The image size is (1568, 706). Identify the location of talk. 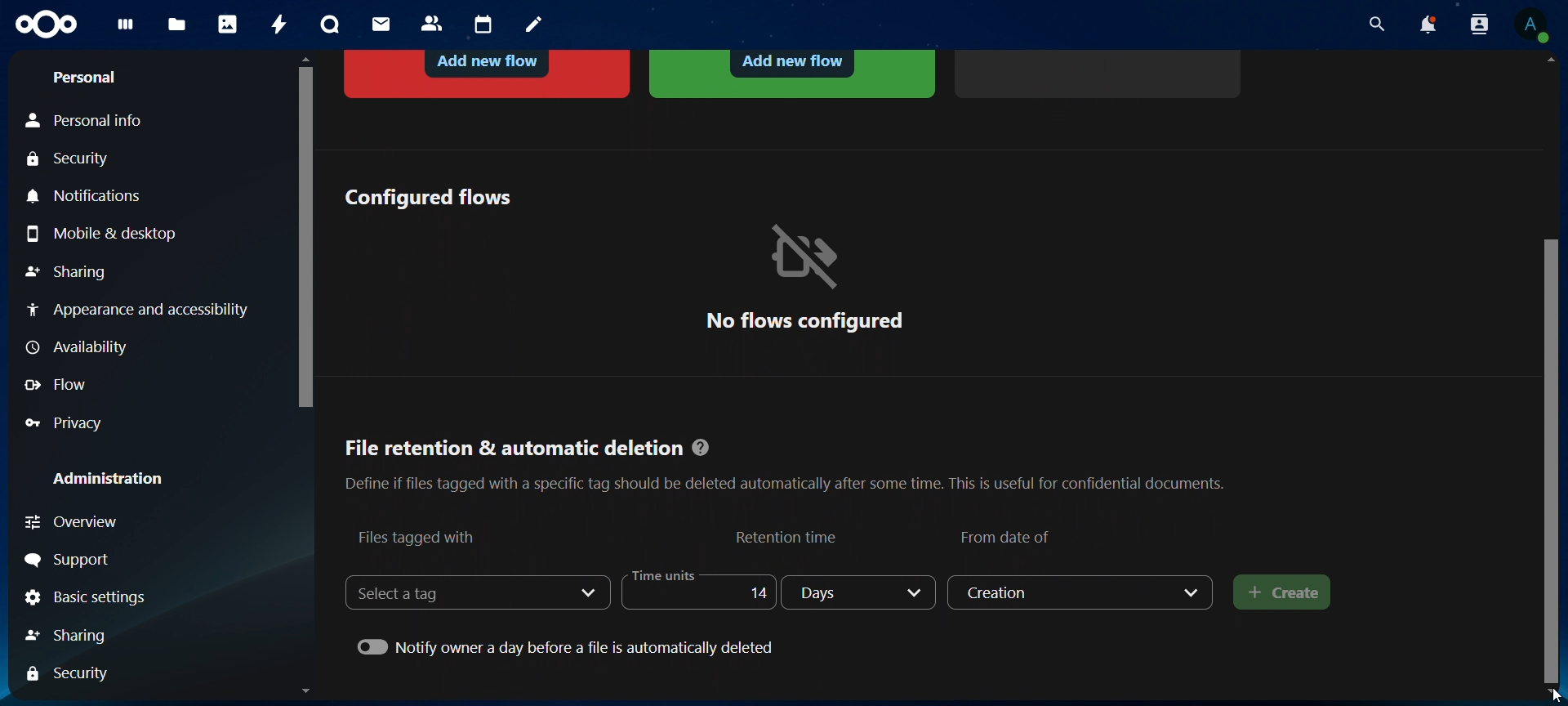
(330, 25).